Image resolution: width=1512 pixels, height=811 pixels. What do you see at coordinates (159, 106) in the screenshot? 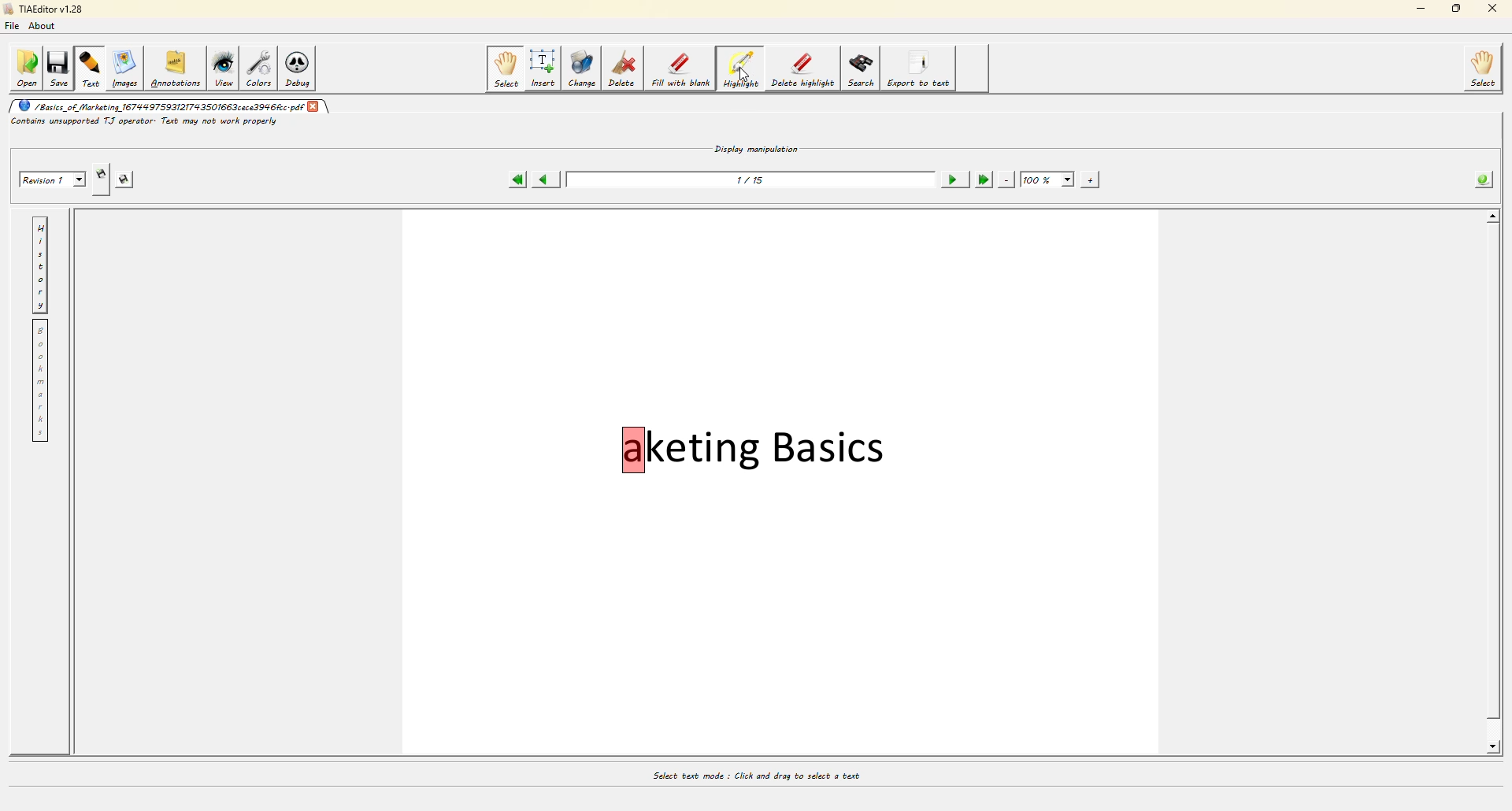
I see `filename` at bounding box center [159, 106].